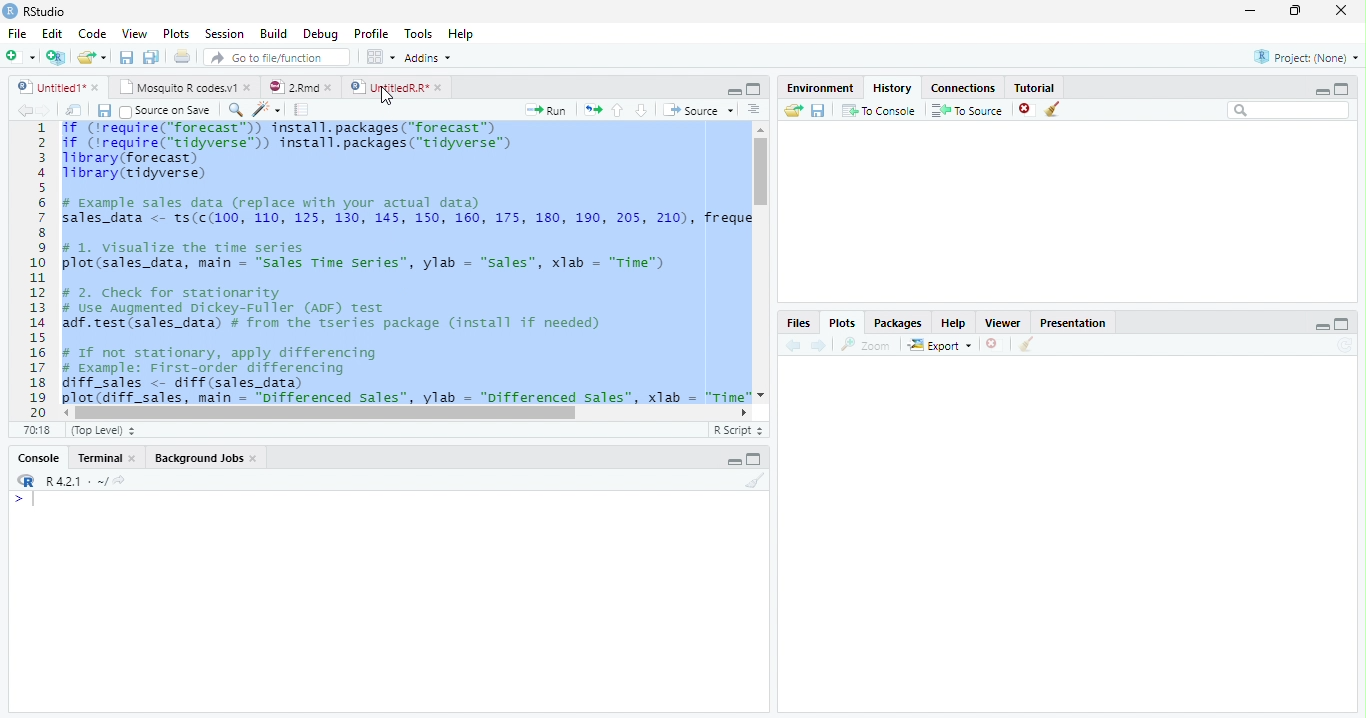  Describe the element at coordinates (17, 33) in the screenshot. I see `File` at that location.